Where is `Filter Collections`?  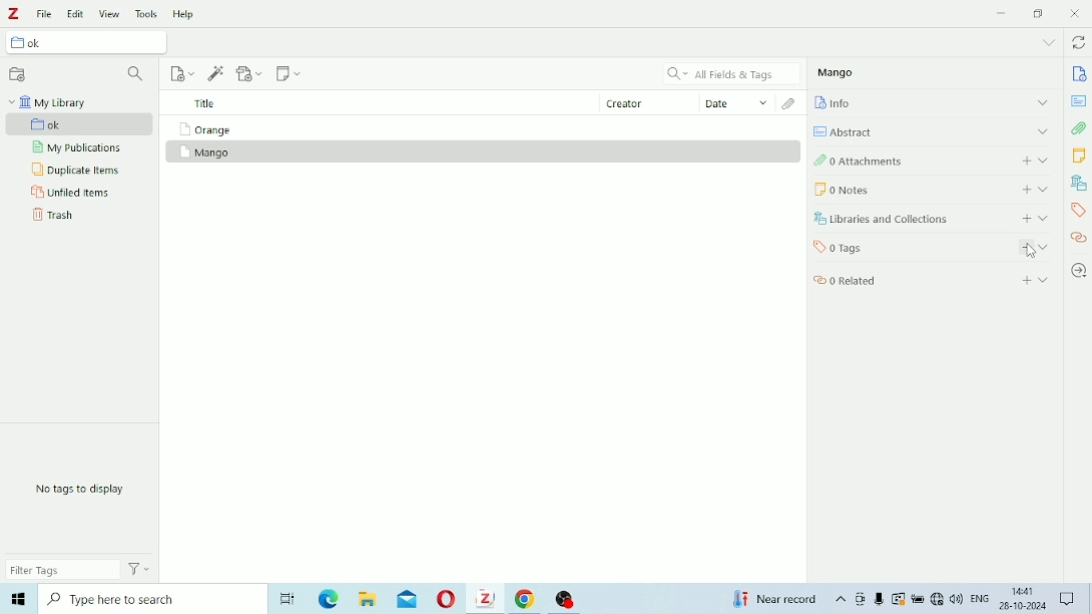 Filter Collections is located at coordinates (138, 75).